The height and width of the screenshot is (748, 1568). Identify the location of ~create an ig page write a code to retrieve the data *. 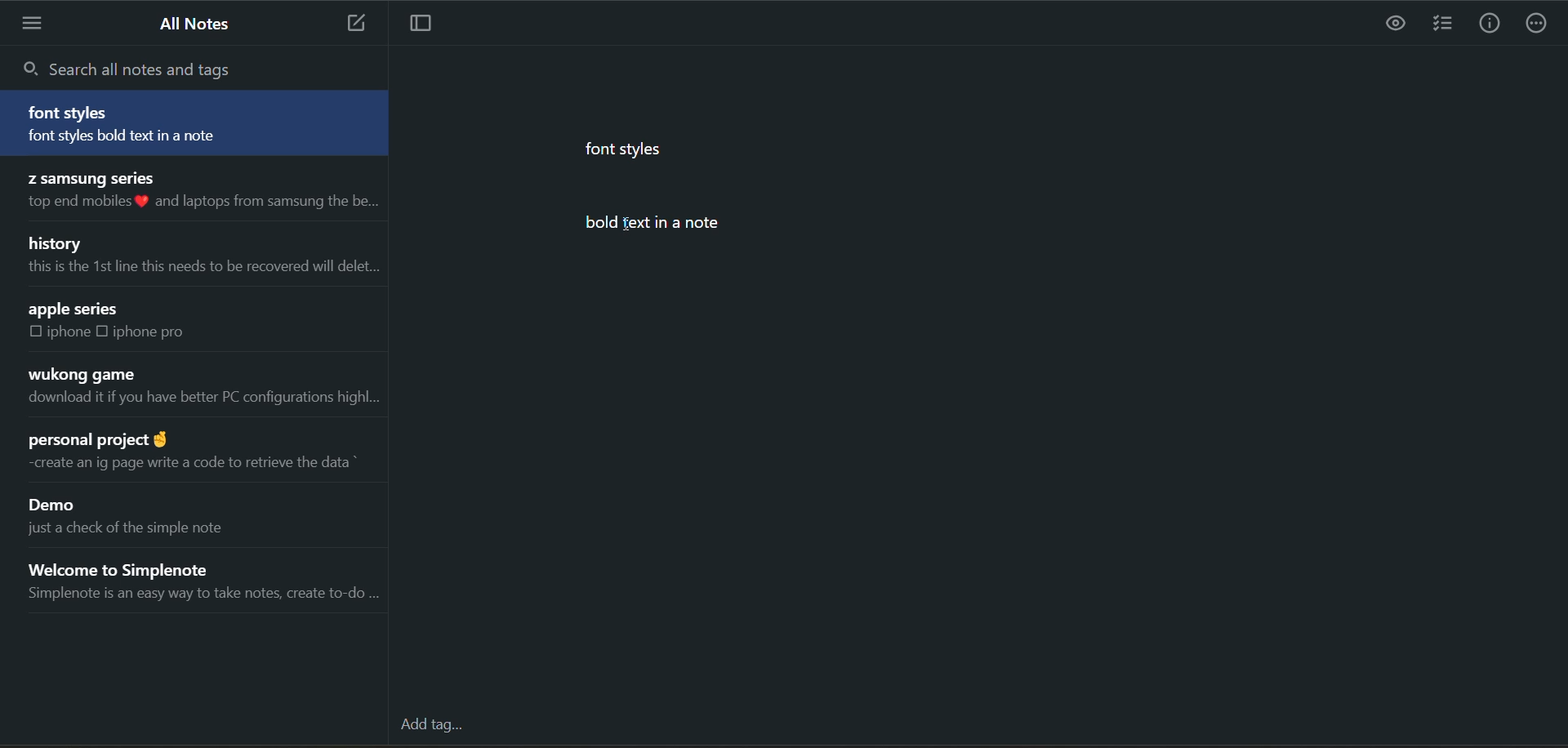
(188, 462).